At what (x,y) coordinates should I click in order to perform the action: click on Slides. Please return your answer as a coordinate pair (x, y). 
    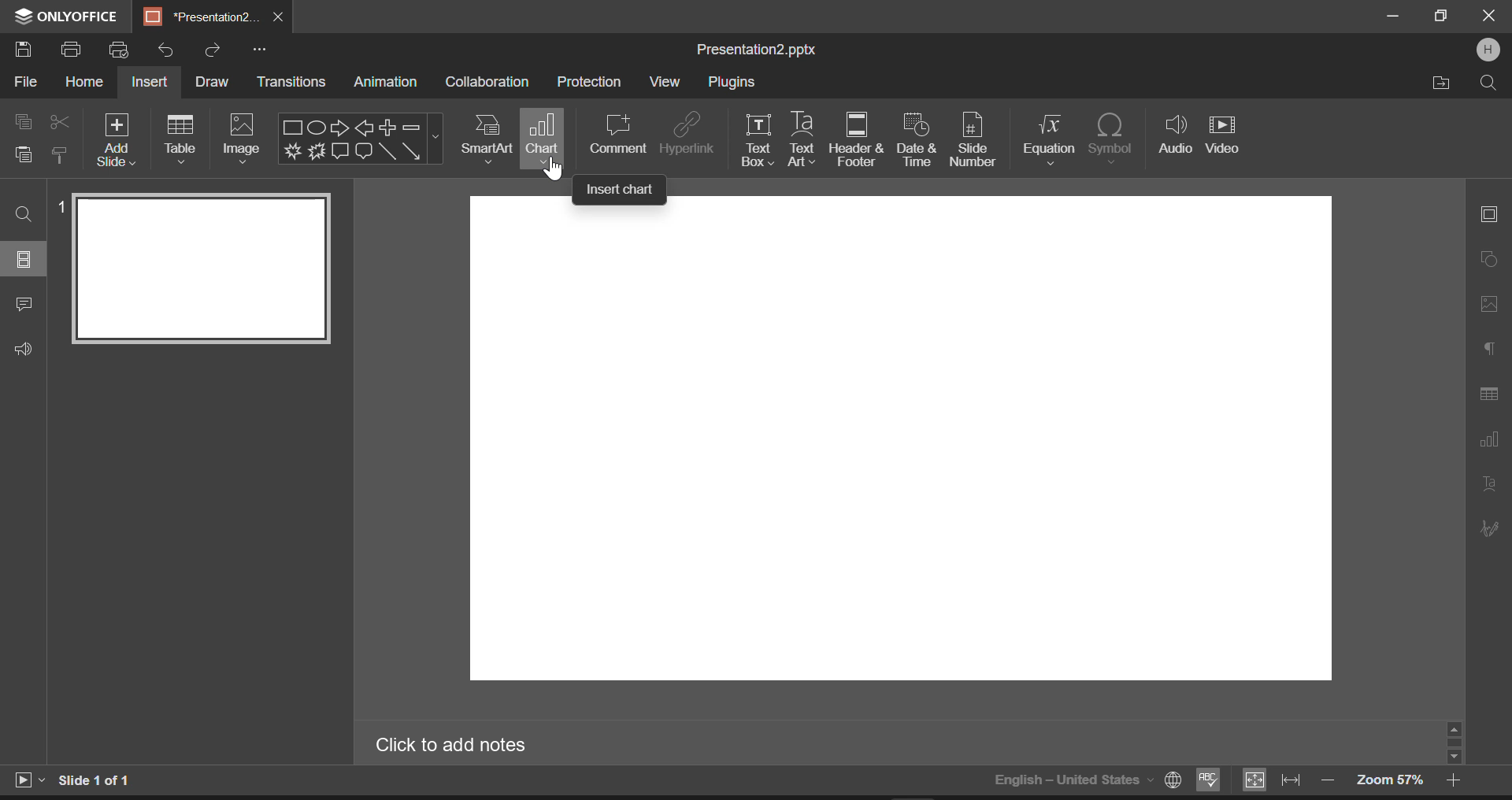
    Looking at the image, I should click on (25, 259).